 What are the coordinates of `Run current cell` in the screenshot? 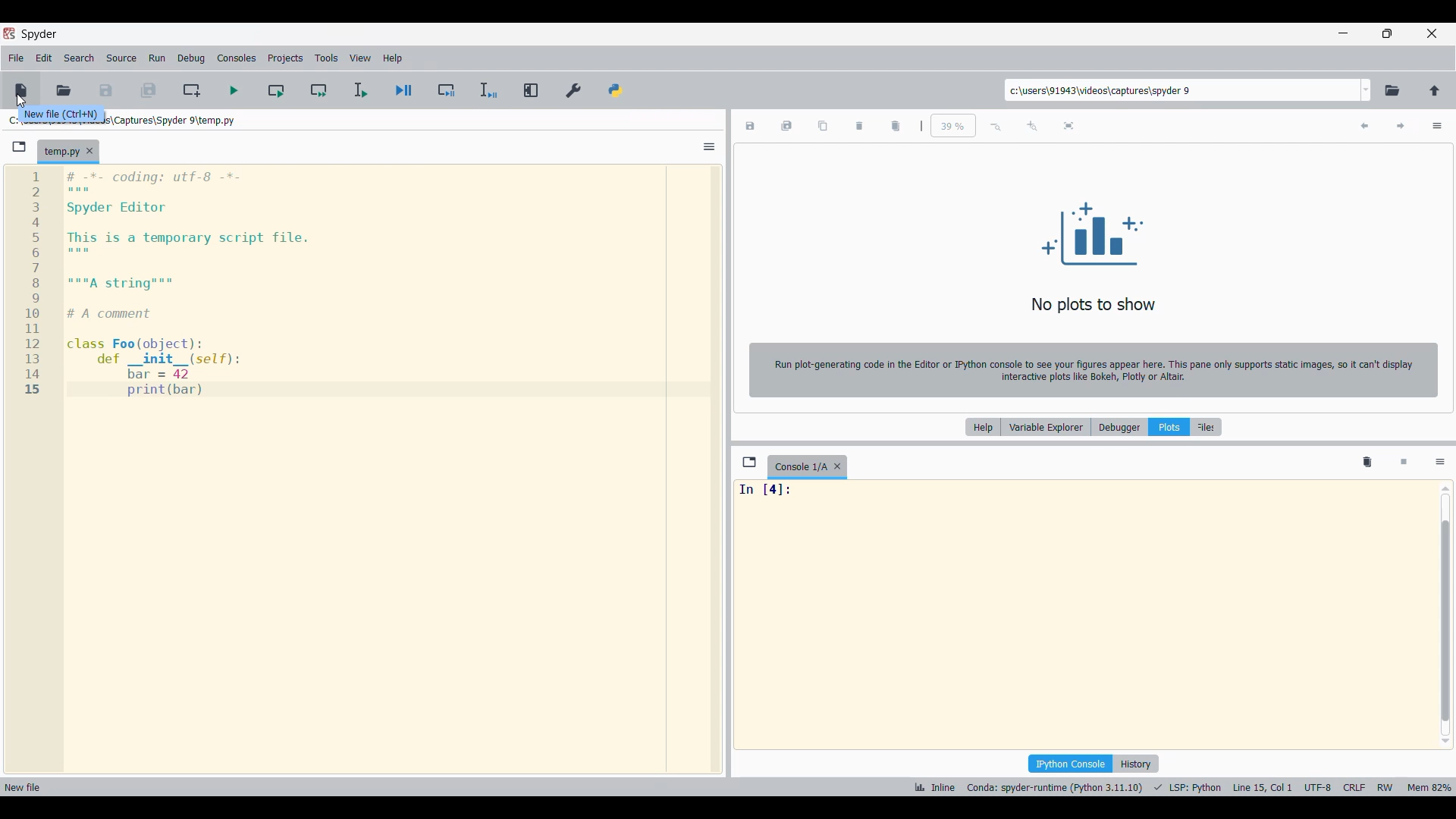 It's located at (277, 91).